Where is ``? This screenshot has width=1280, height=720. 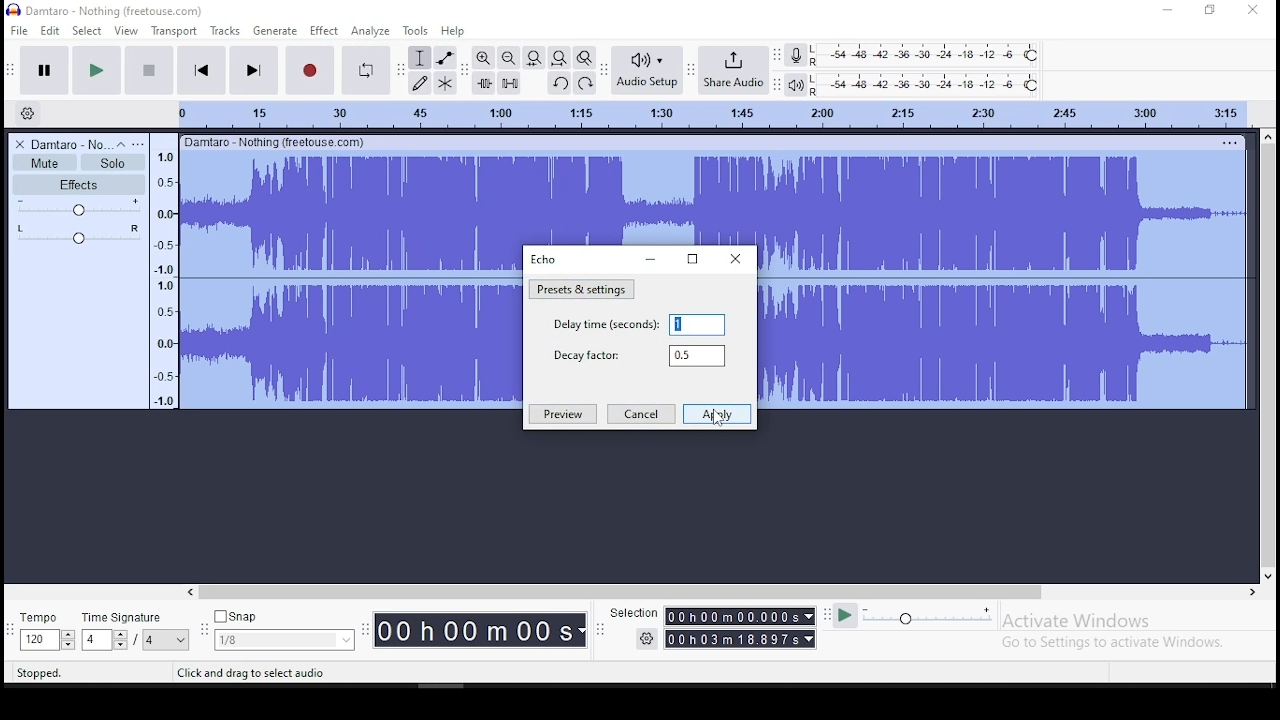  is located at coordinates (10, 69).